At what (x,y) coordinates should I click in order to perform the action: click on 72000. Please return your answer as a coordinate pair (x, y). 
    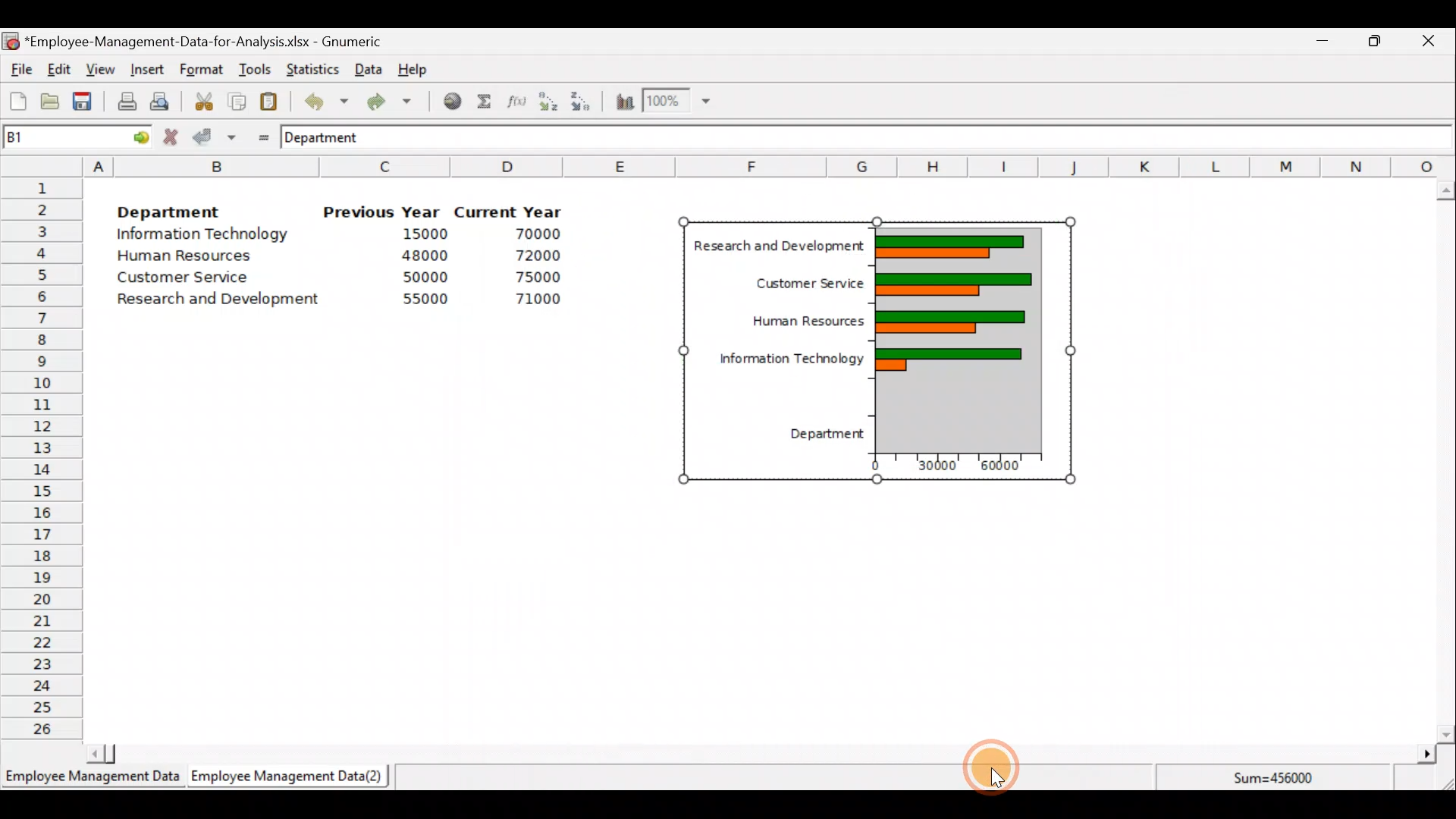
    Looking at the image, I should click on (531, 257).